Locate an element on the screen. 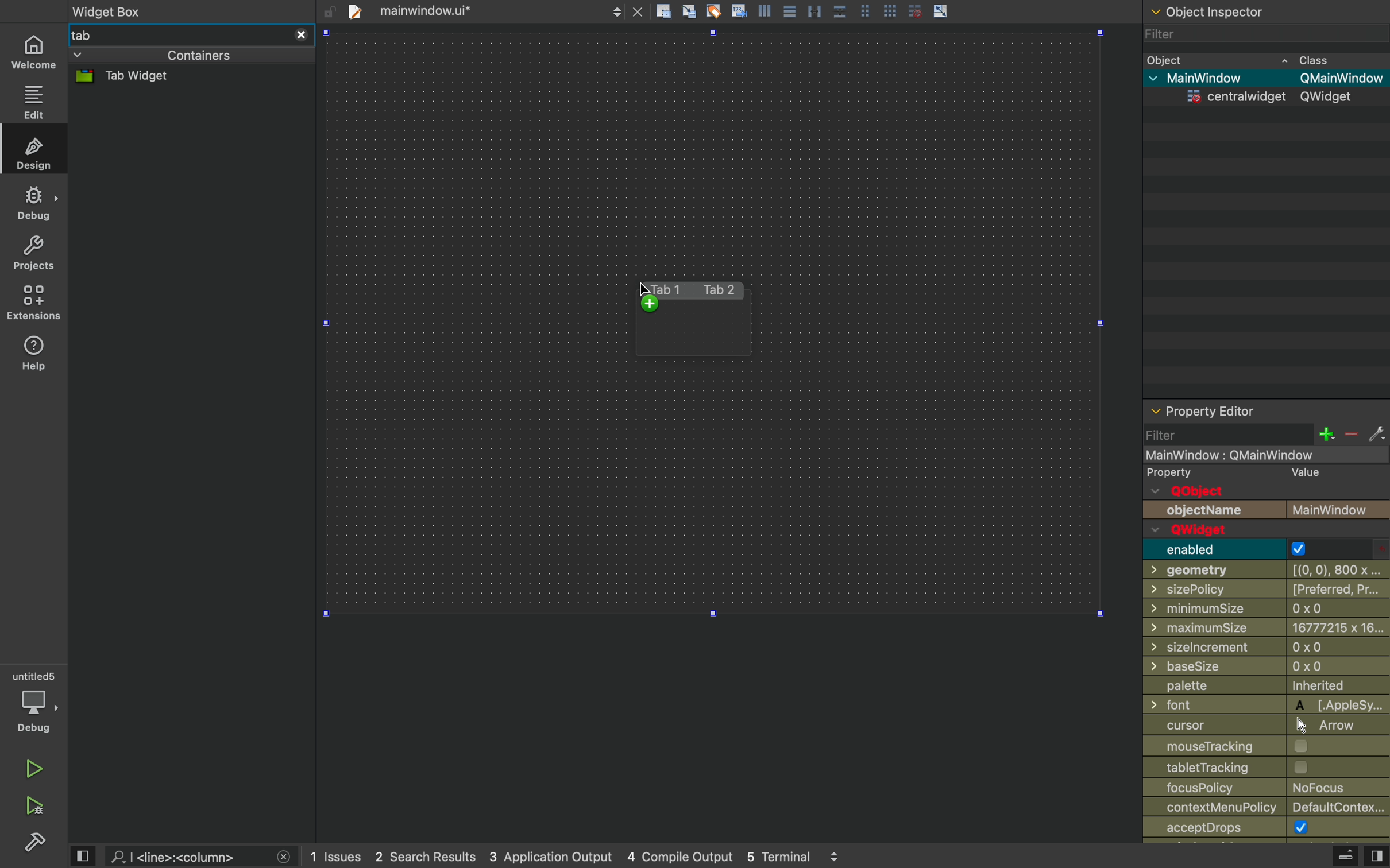 This screenshot has width=1390, height=868. projects is located at coordinates (36, 253).